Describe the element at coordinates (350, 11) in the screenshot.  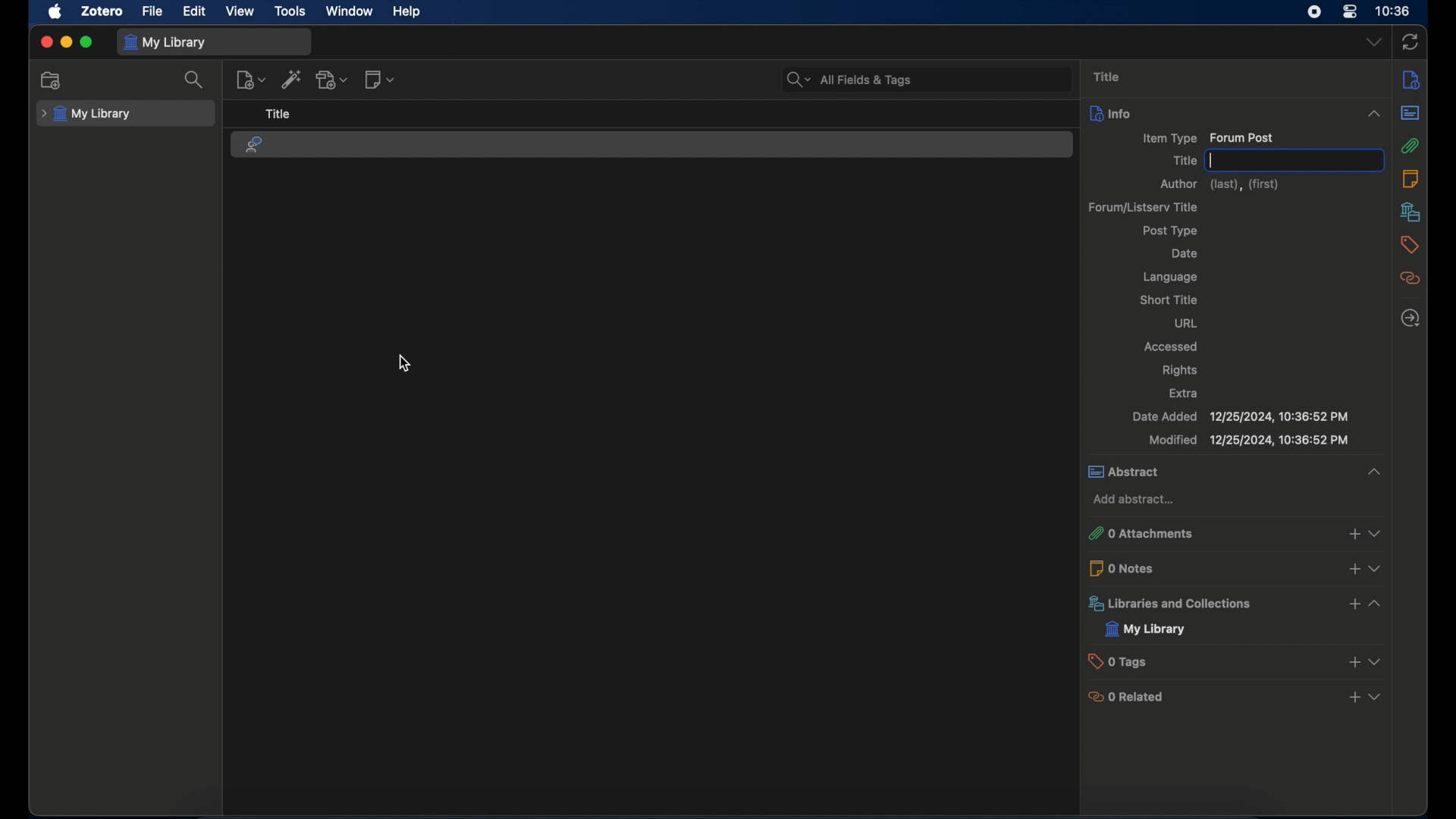
I see `window` at that location.